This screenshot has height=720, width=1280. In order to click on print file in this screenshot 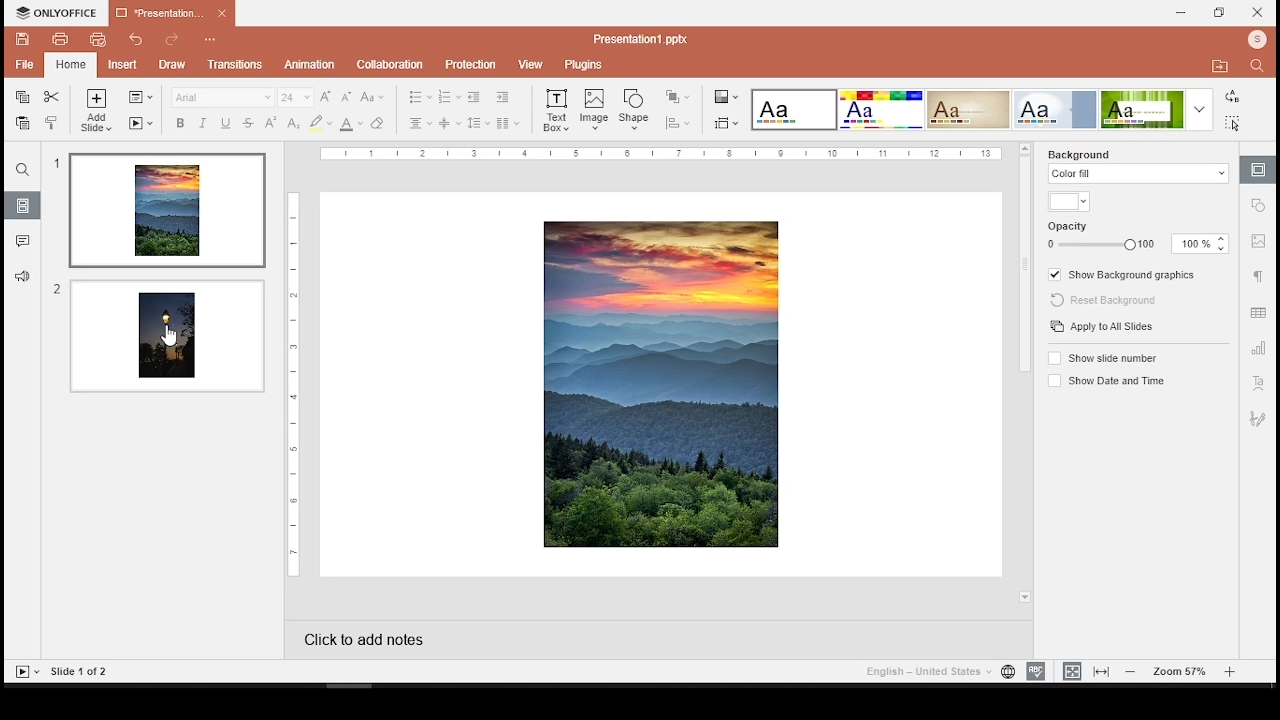, I will do `click(60, 40)`.